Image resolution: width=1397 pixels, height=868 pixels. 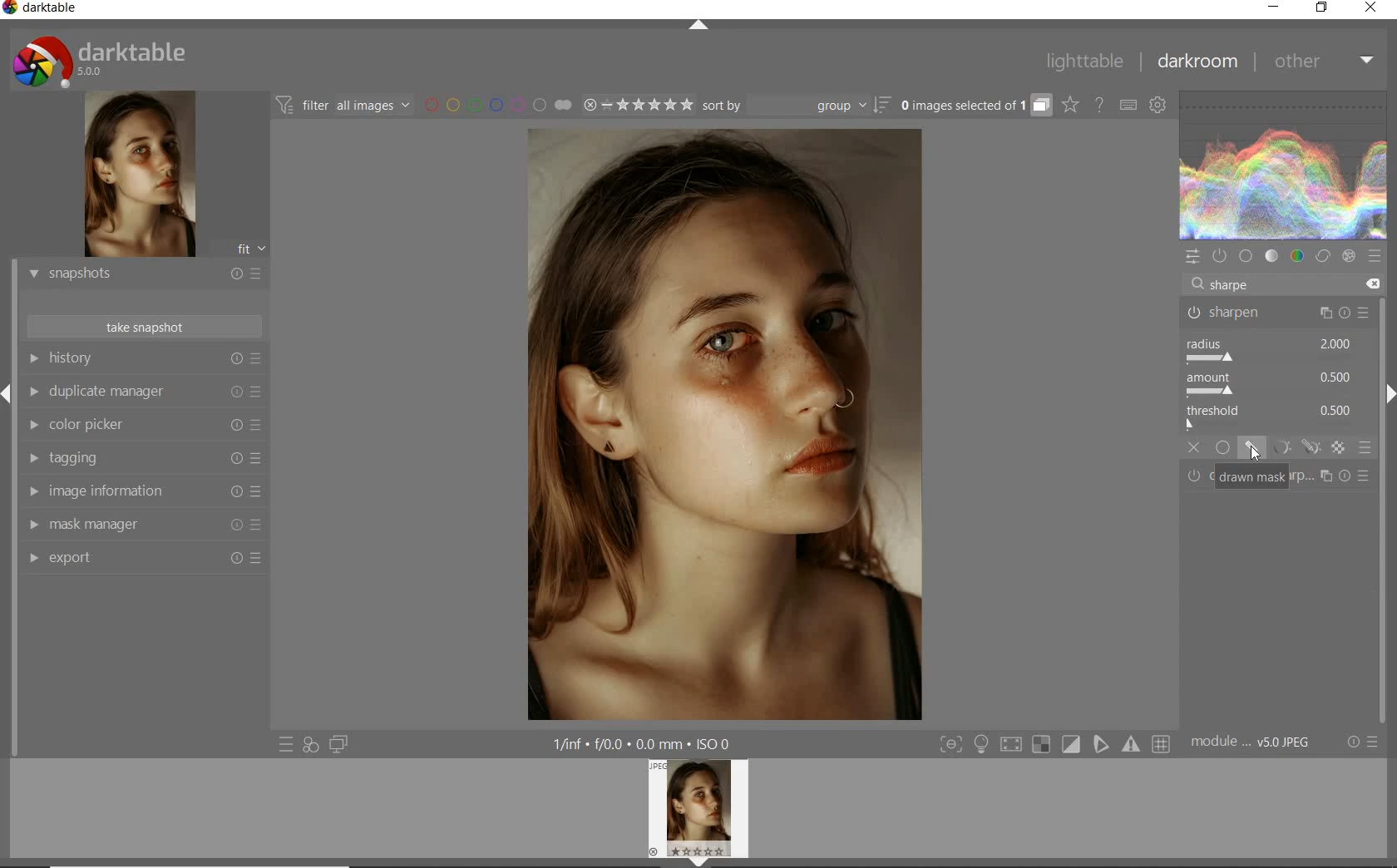 I want to click on waveform, so click(x=1284, y=165).